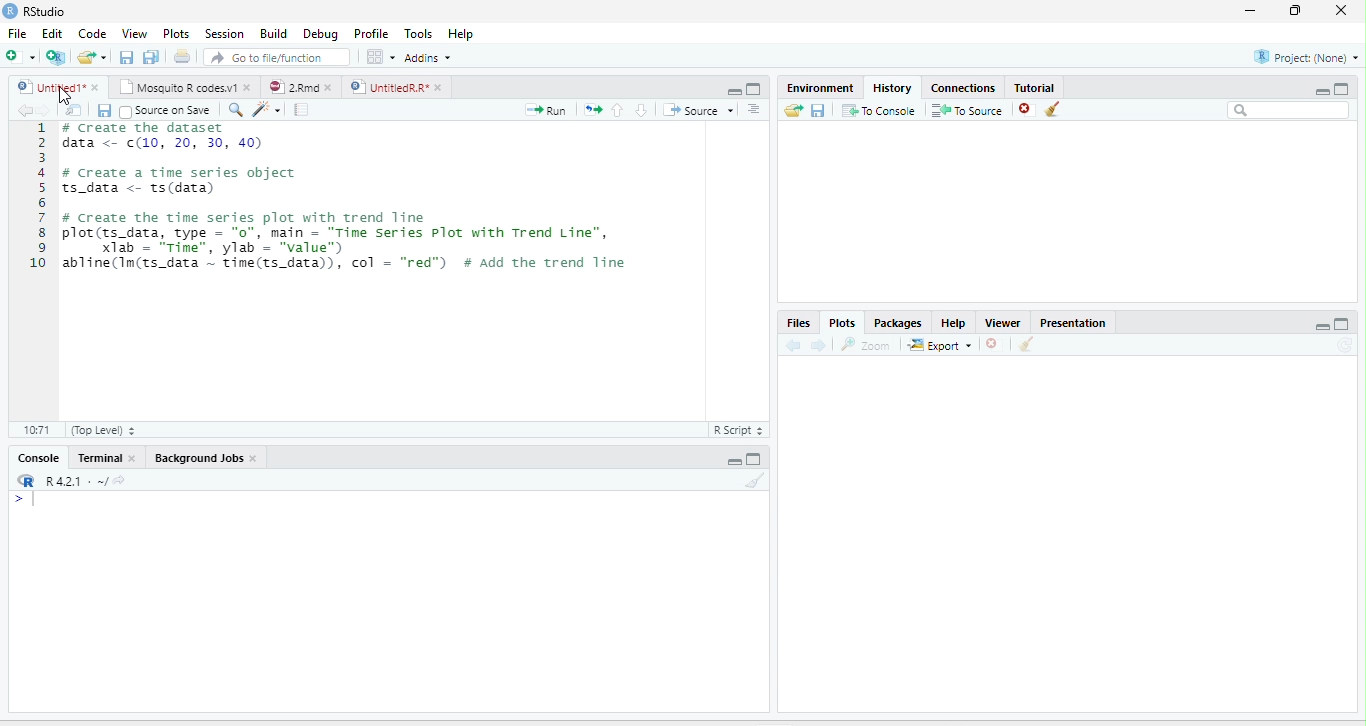  What do you see at coordinates (133, 33) in the screenshot?
I see `View` at bounding box center [133, 33].